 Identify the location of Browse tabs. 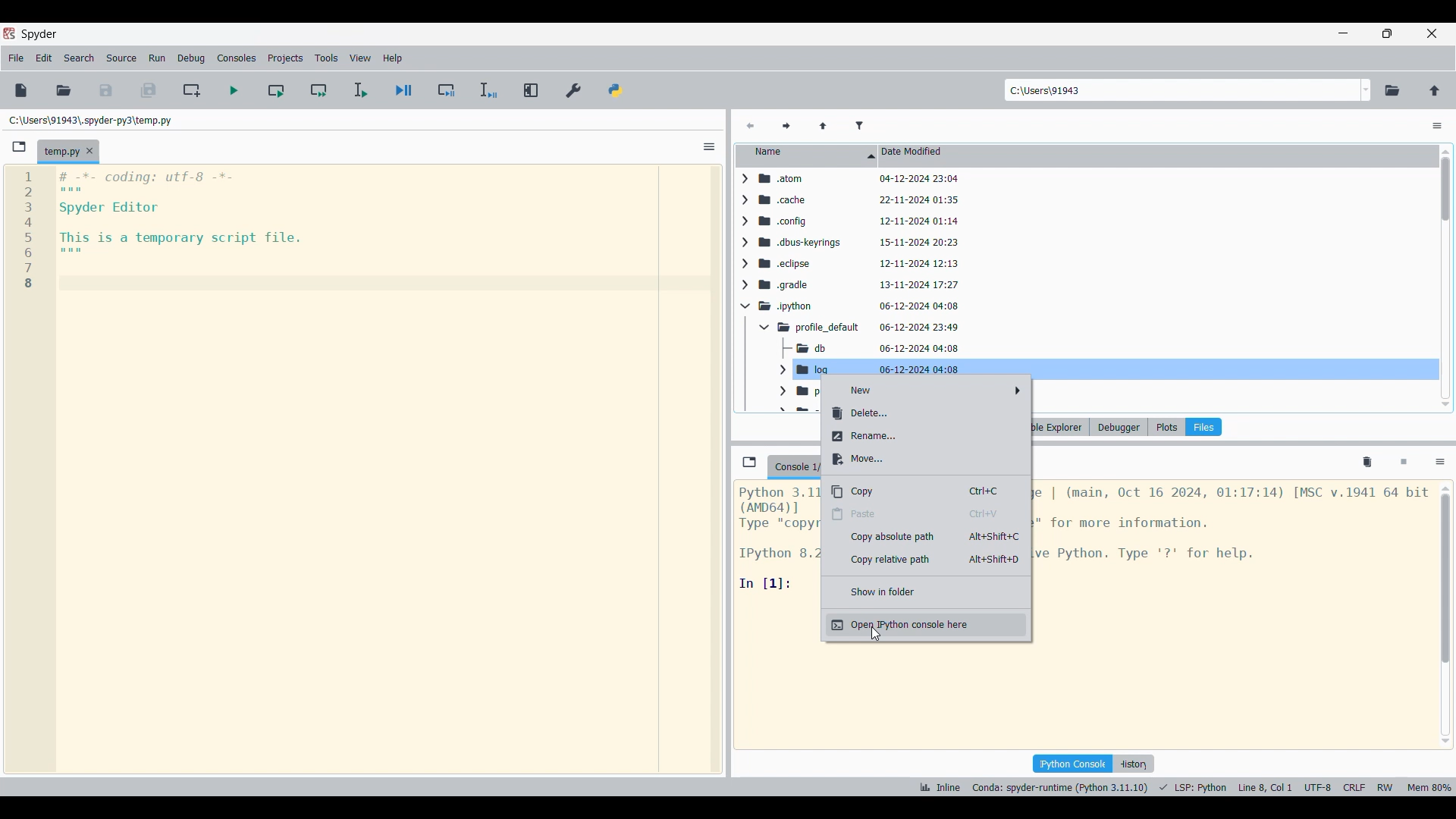
(749, 462).